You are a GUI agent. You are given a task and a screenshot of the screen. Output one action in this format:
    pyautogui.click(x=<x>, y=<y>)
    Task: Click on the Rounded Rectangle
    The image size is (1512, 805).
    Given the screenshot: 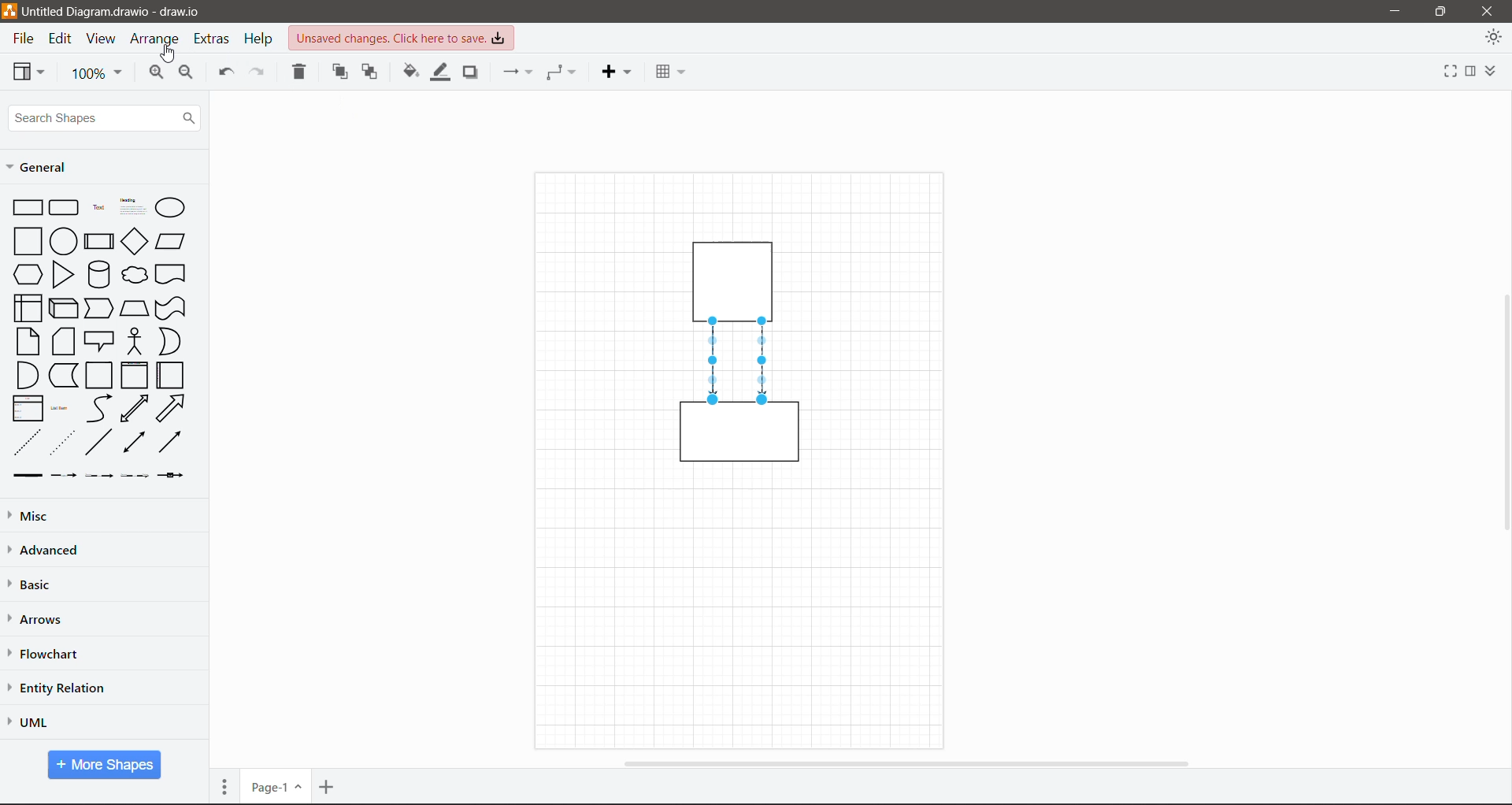 What is the action you would take?
    pyautogui.click(x=65, y=206)
    